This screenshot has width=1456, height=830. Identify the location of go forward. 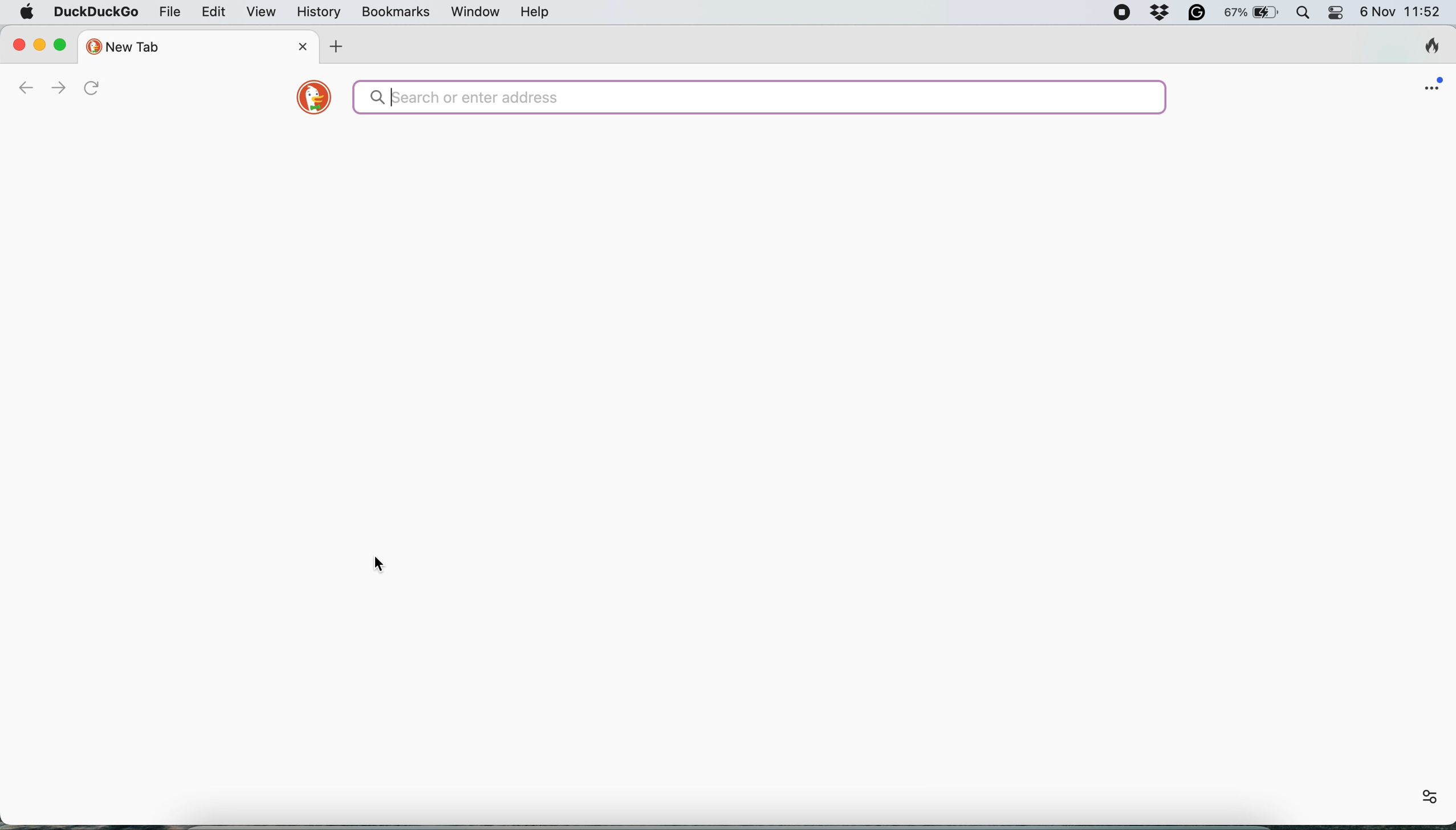
(59, 86).